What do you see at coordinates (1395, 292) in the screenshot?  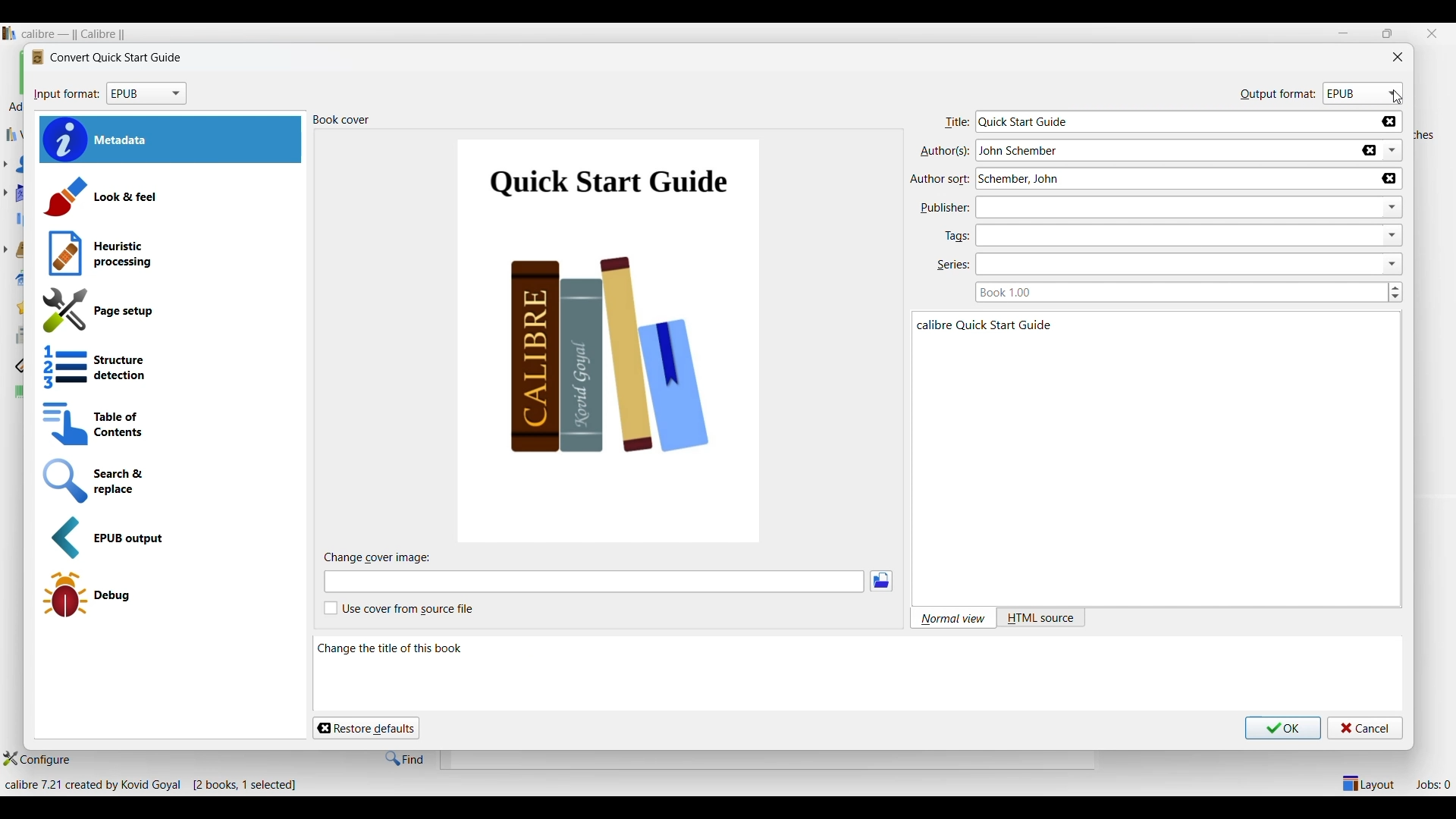 I see `Increase/Decrease book series` at bounding box center [1395, 292].